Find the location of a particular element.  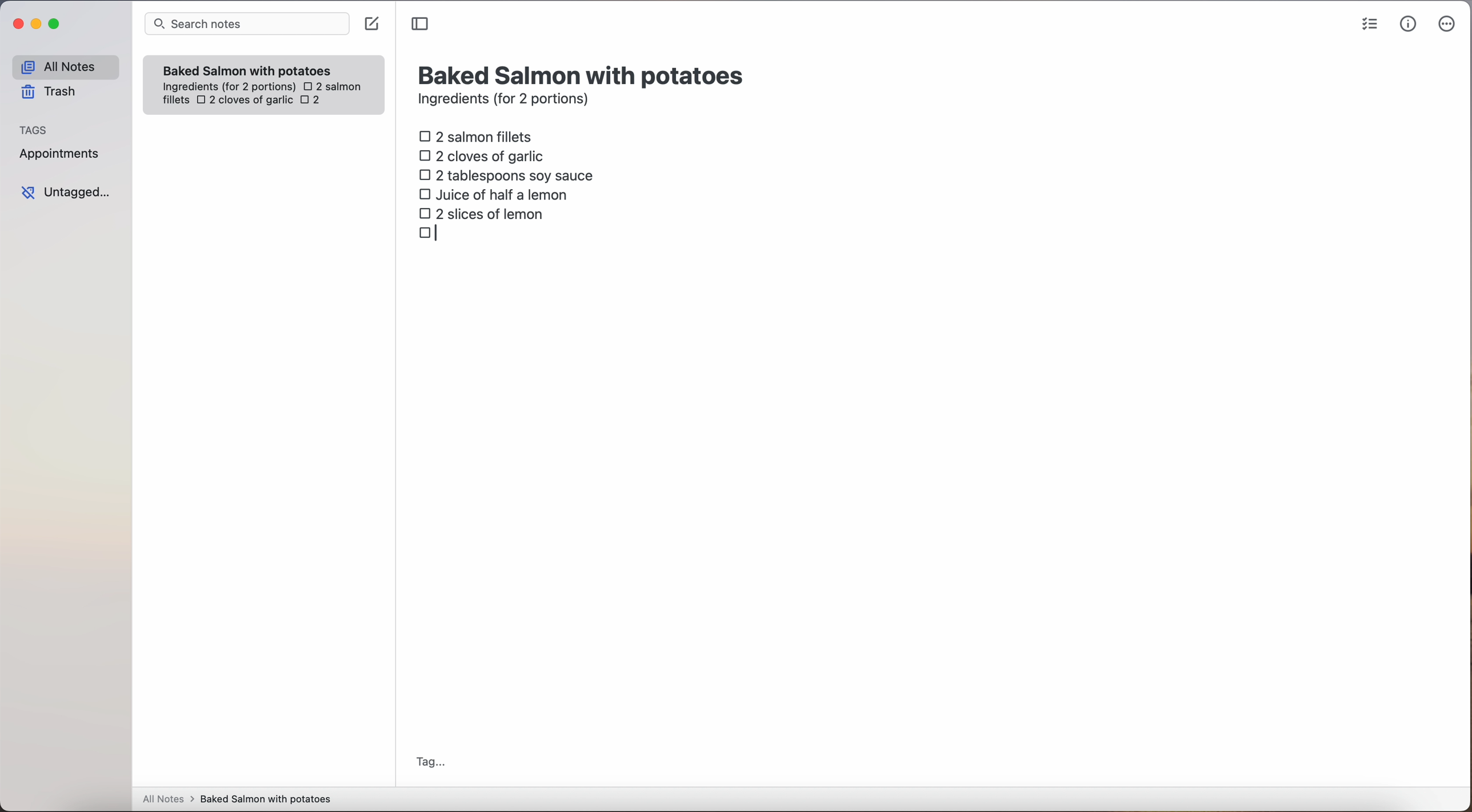

trash is located at coordinates (53, 92).